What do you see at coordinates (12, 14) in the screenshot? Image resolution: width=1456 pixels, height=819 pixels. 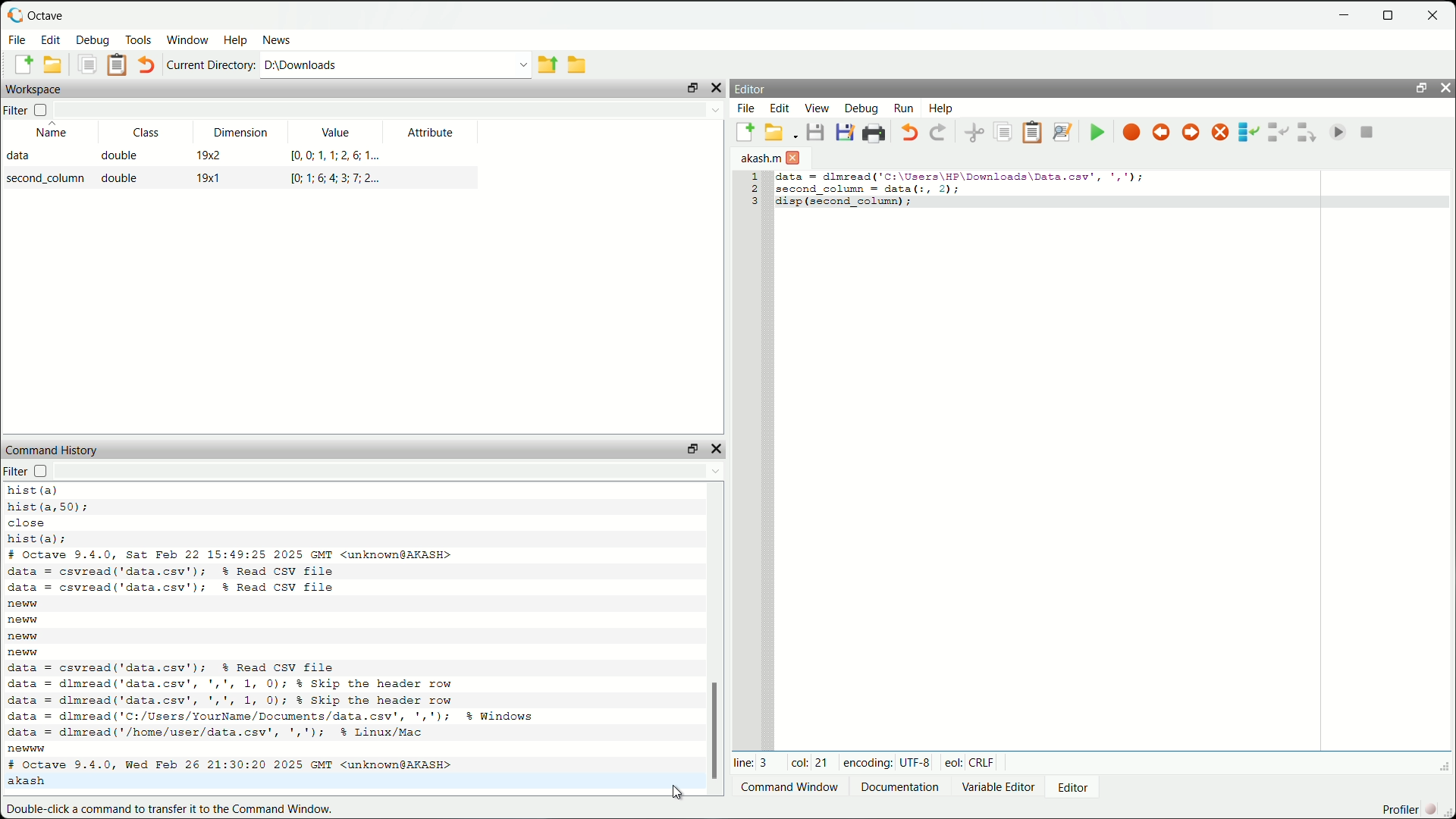 I see `logo` at bounding box center [12, 14].